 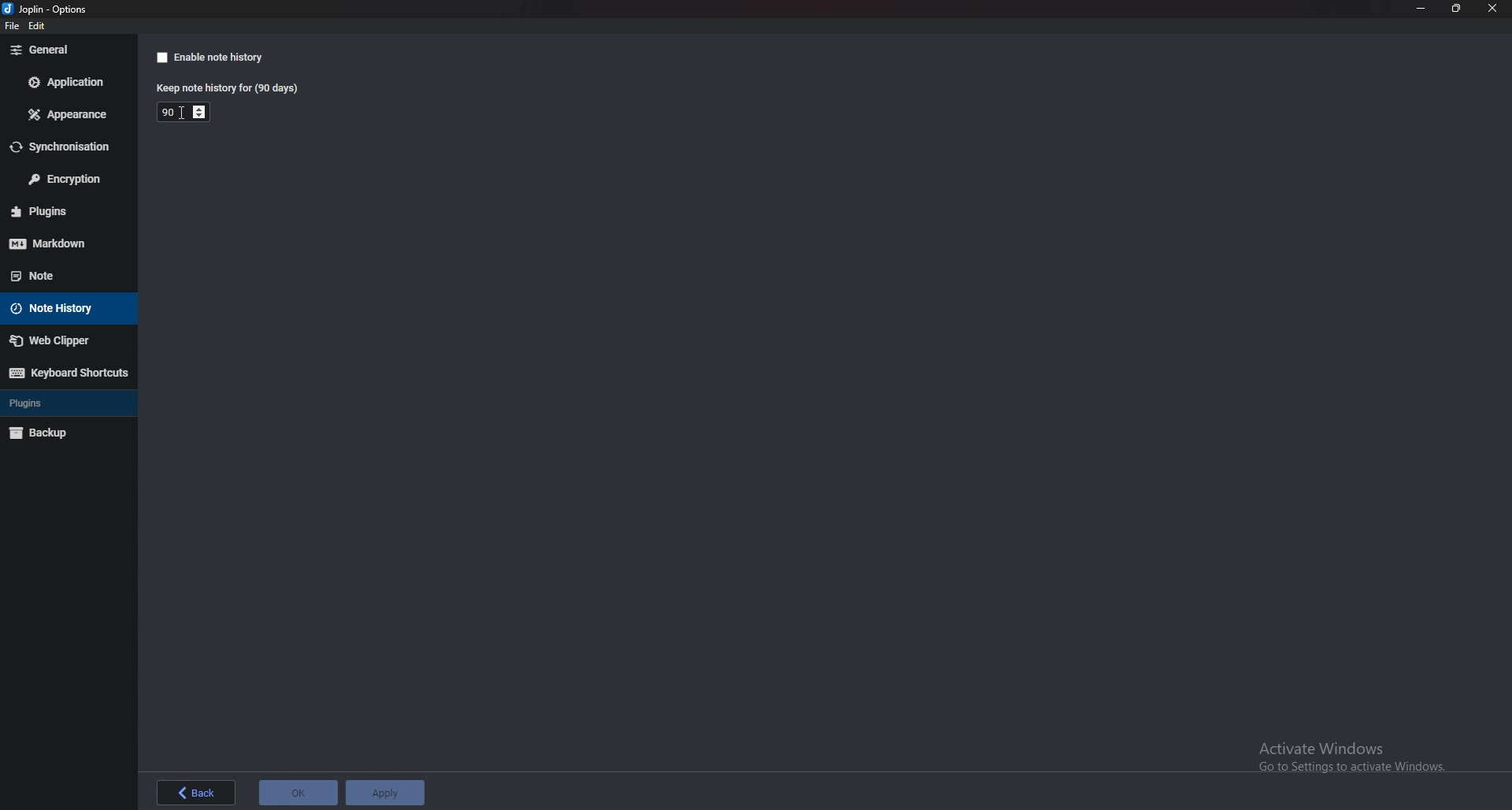 I want to click on close, so click(x=1495, y=9).